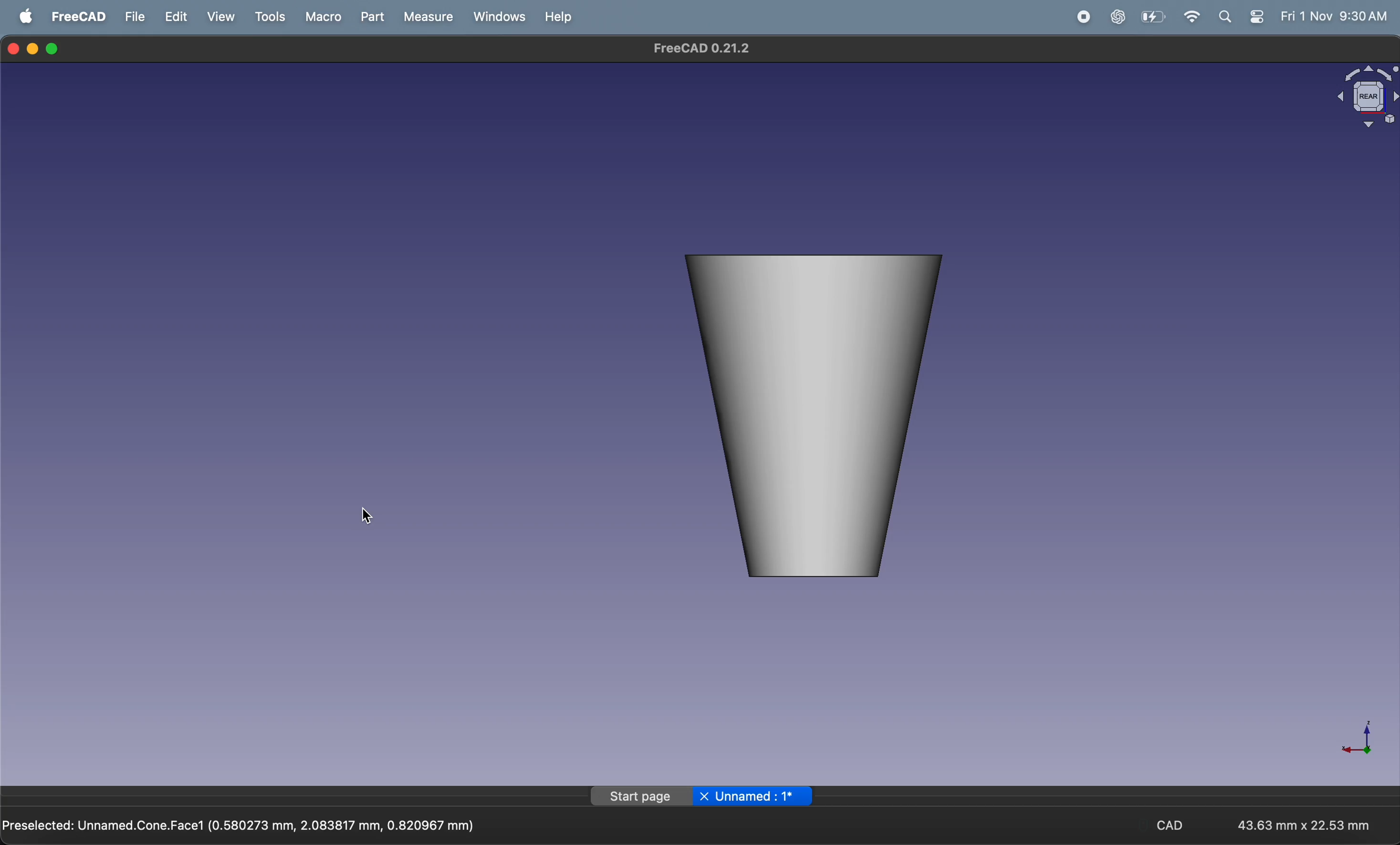  I want to click on FreeCAD, so click(79, 16).